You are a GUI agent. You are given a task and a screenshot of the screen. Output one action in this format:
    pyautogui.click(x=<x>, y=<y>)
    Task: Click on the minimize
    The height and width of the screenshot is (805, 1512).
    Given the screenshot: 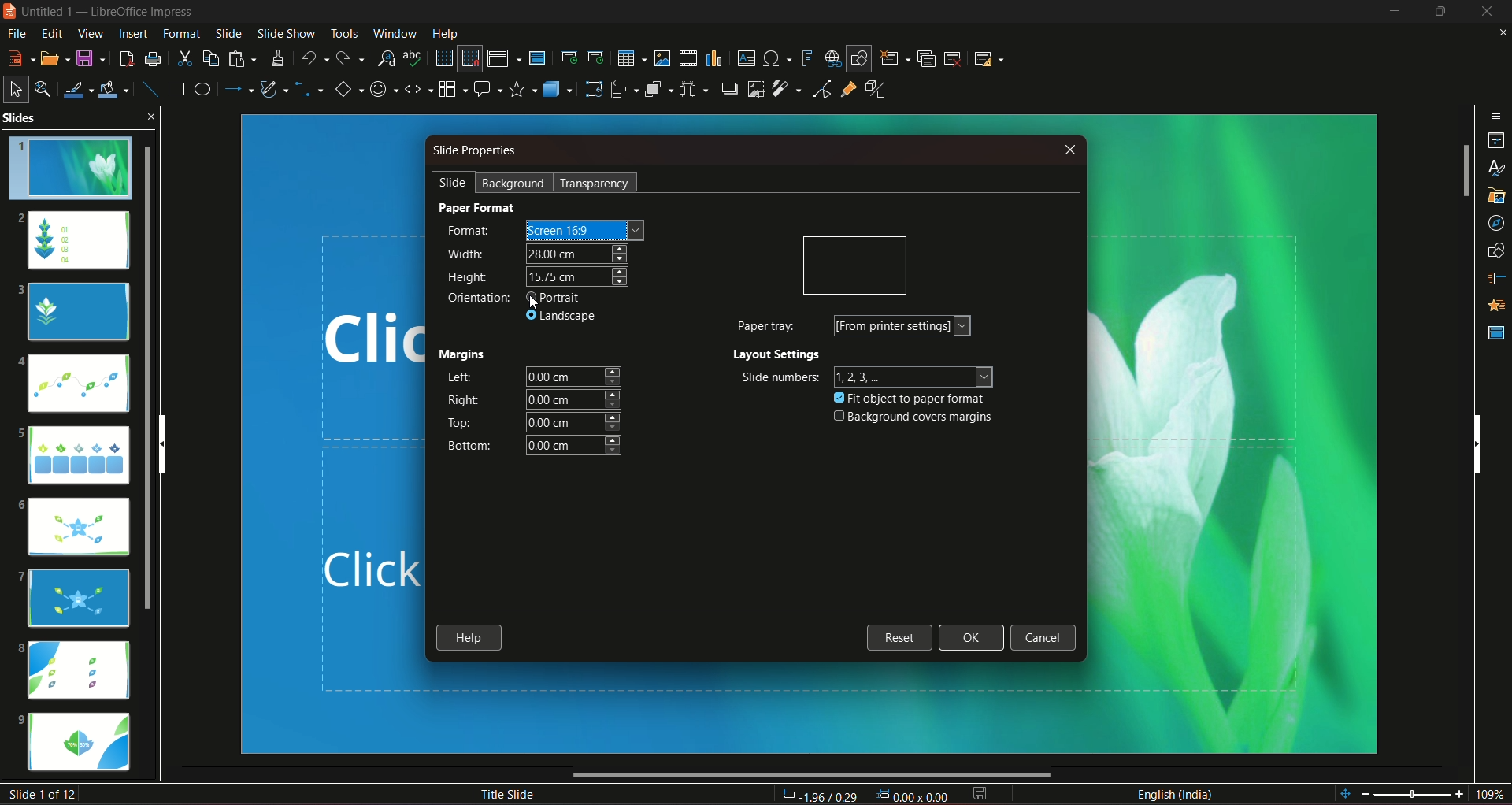 What is the action you would take?
    pyautogui.click(x=1392, y=13)
    